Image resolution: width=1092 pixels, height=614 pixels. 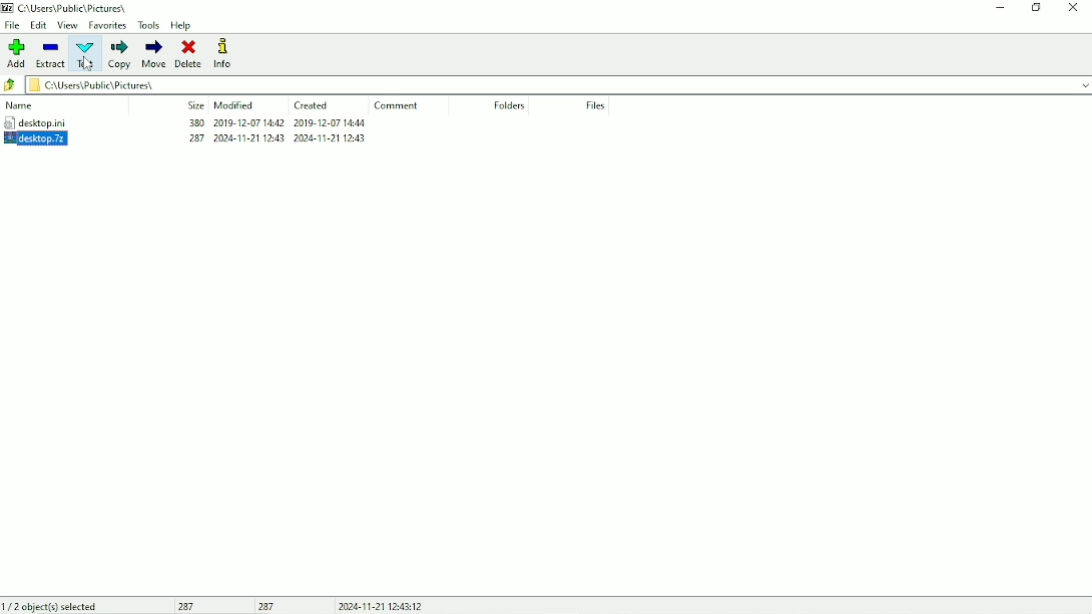 What do you see at coordinates (222, 53) in the screenshot?
I see `Info` at bounding box center [222, 53].